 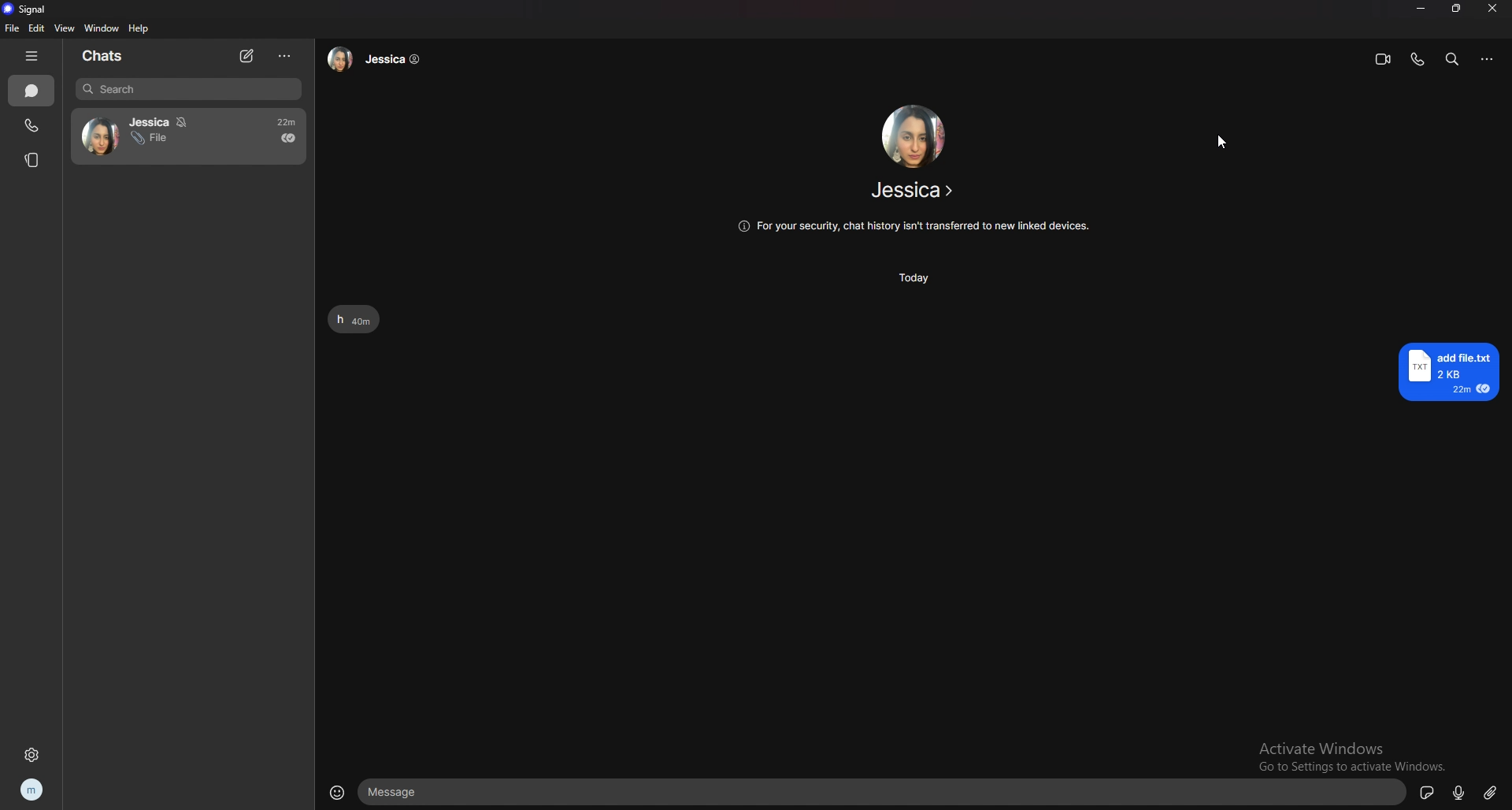 What do you see at coordinates (32, 91) in the screenshot?
I see `chats` at bounding box center [32, 91].